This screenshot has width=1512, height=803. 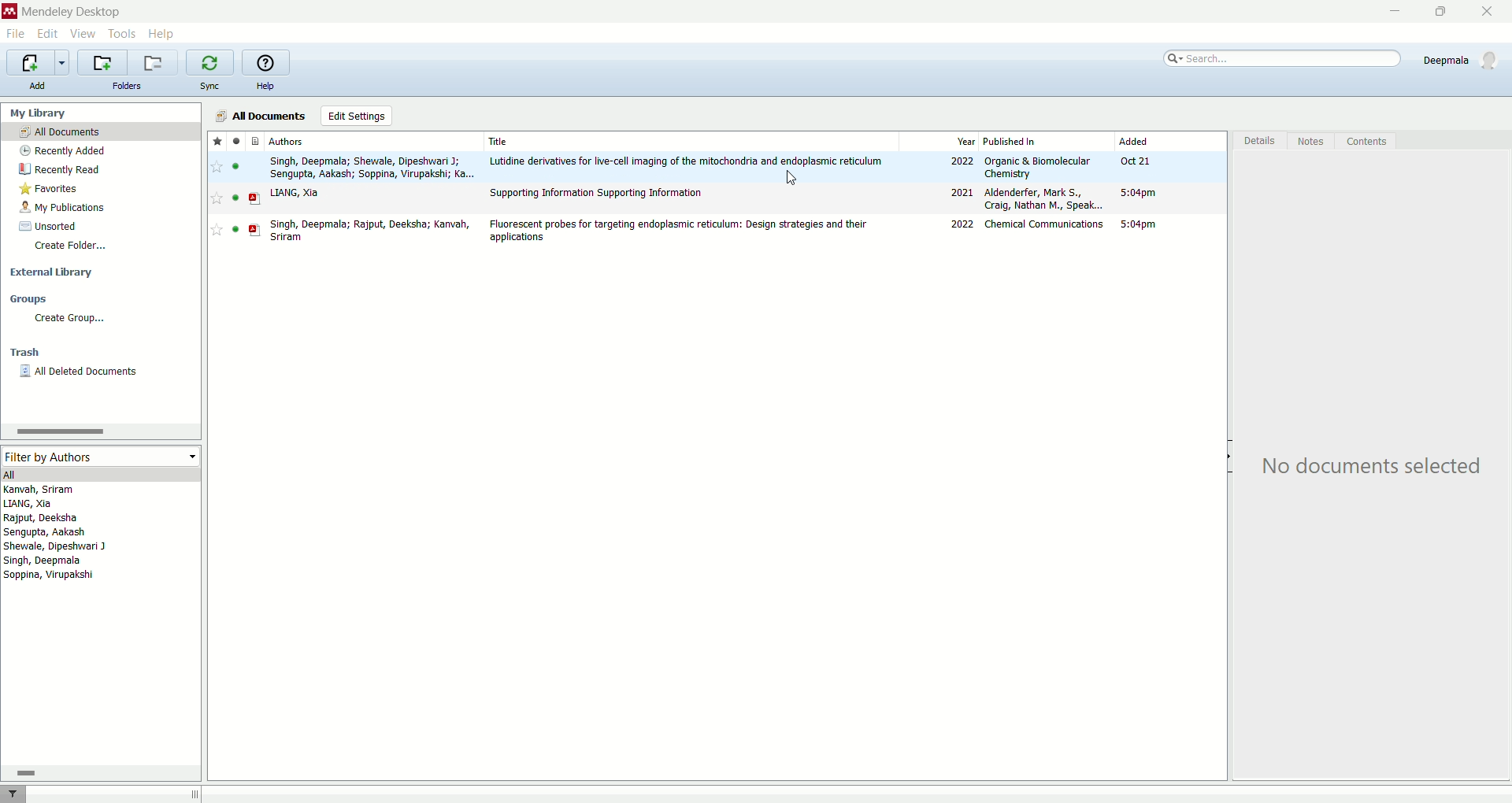 What do you see at coordinates (80, 372) in the screenshot?
I see `all deleted documents` at bounding box center [80, 372].